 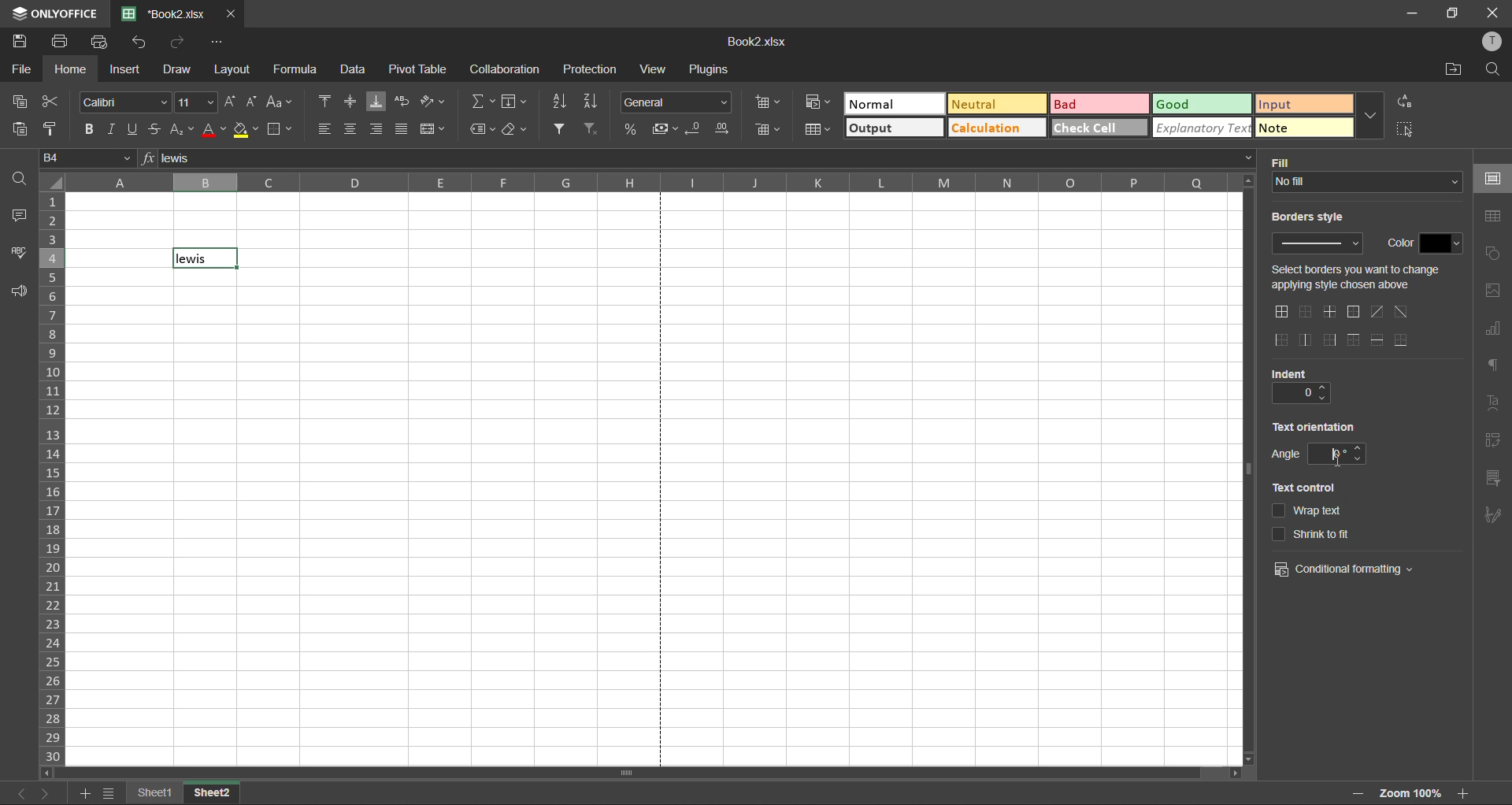 What do you see at coordinates (1327, 385) in the screenshot?
I see `increase indent` at bounding box center [1327, 385].